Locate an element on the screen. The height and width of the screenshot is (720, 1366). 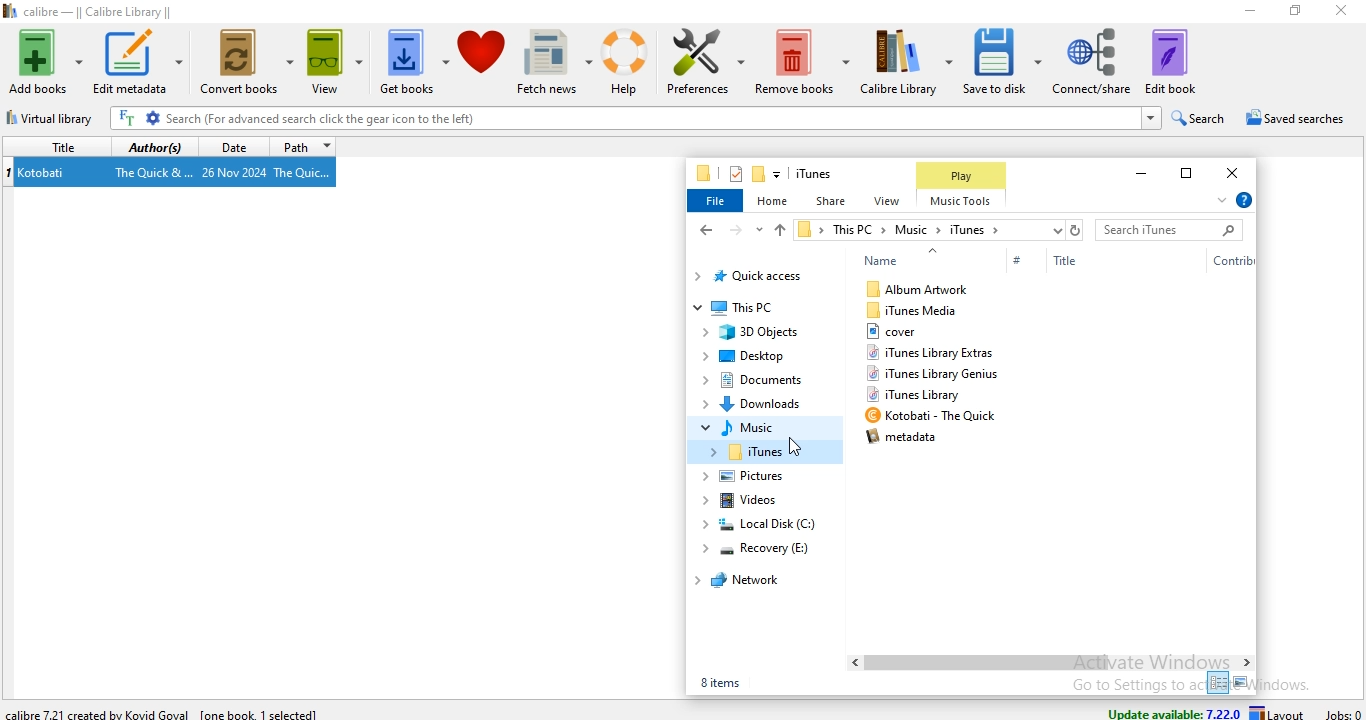
album artwork is located at coordinates (921, 289).